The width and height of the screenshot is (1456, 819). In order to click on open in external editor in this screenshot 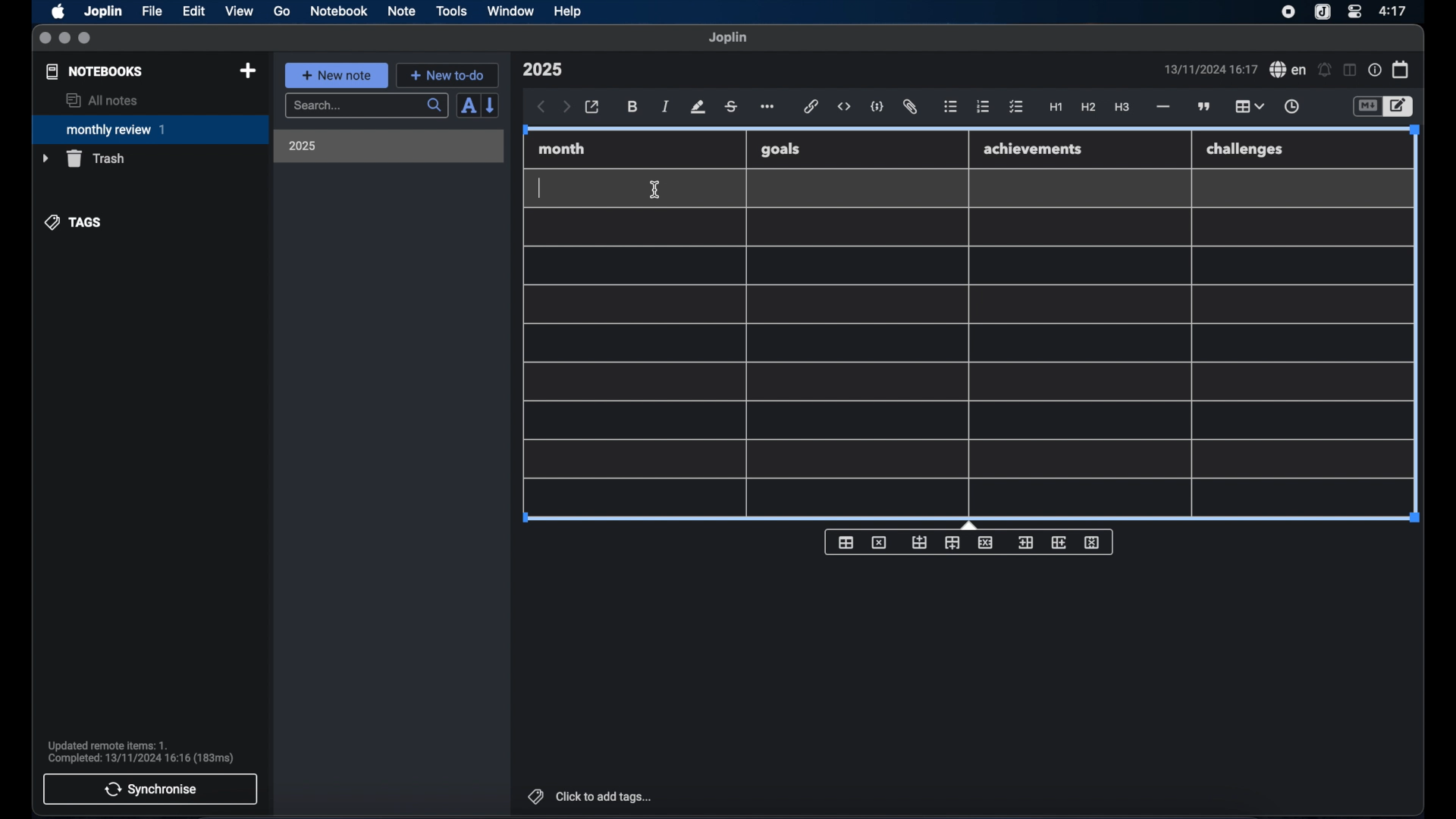, I will do `click(593, 108)`.